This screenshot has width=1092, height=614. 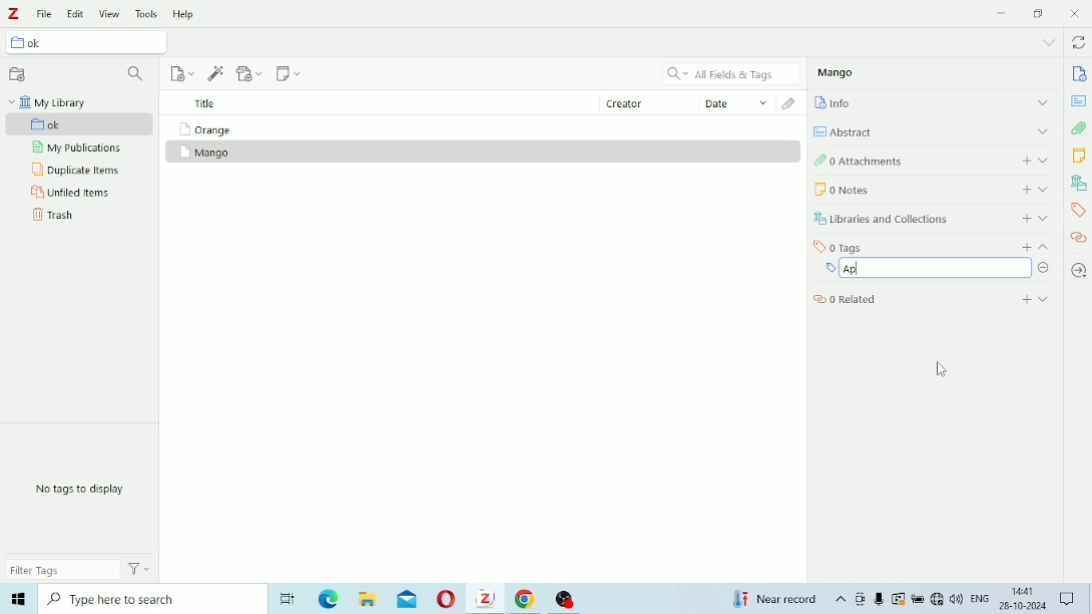 I want to click on Mango, so click(x=205, y=153).